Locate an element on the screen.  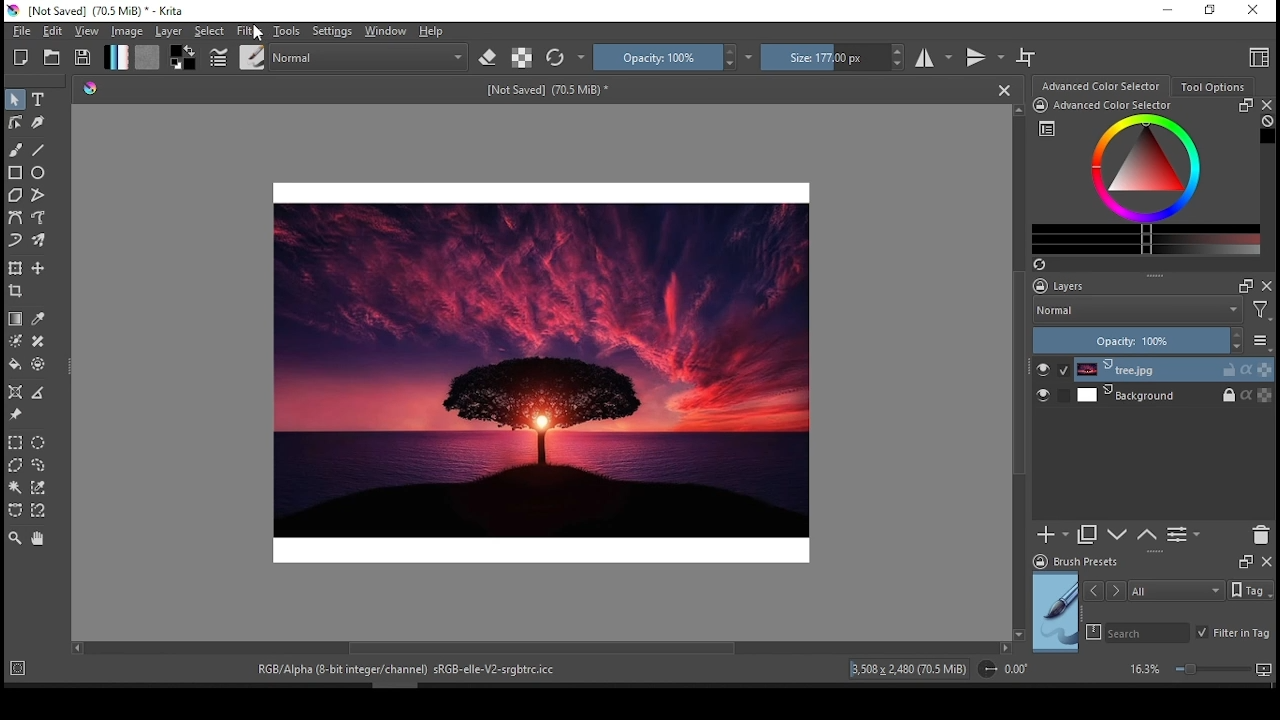
 is located at coordinates (1031, 58).